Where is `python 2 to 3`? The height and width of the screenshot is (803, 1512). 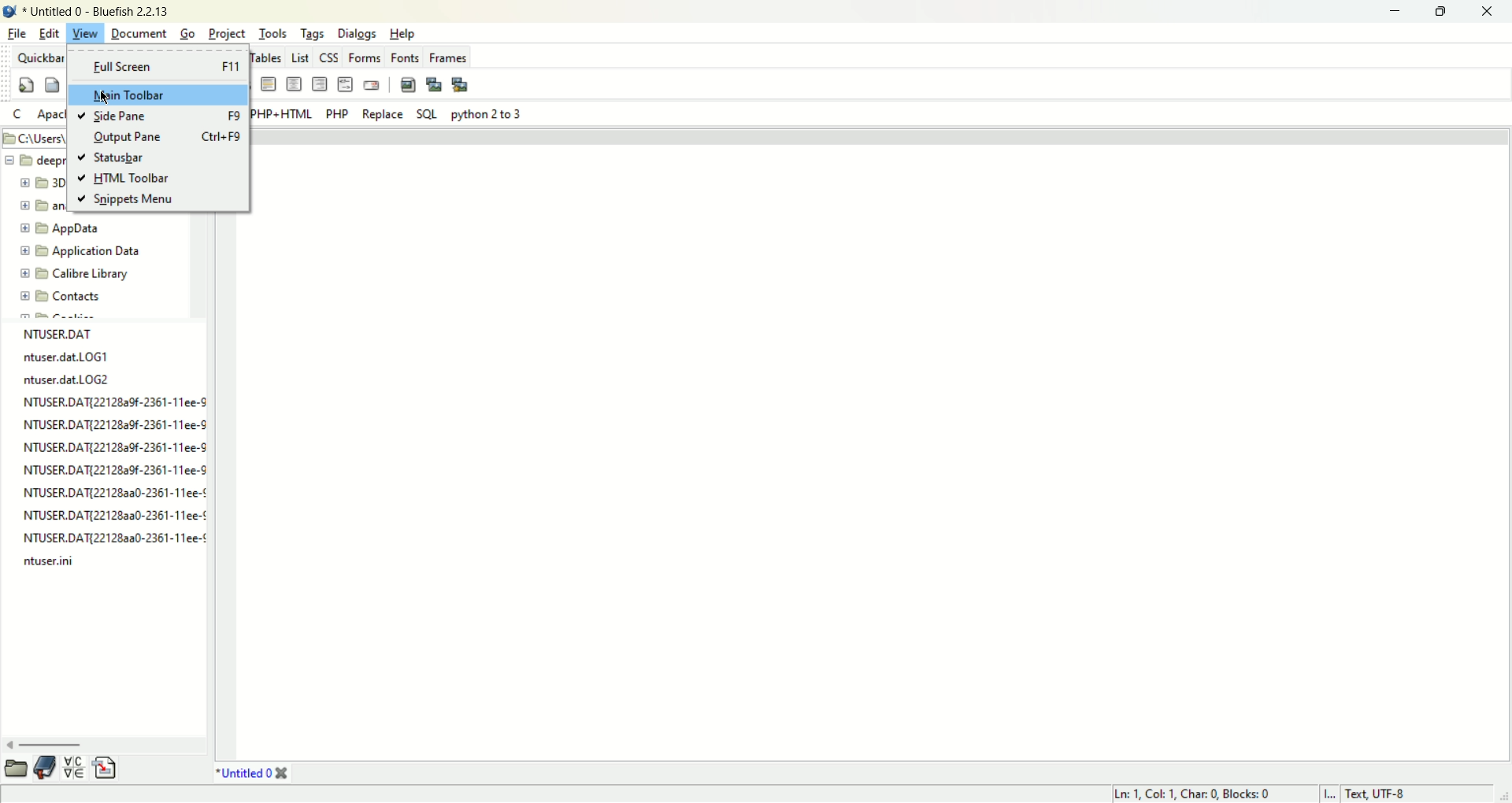 python 2 to 3 is located at coordinates (487, 114).